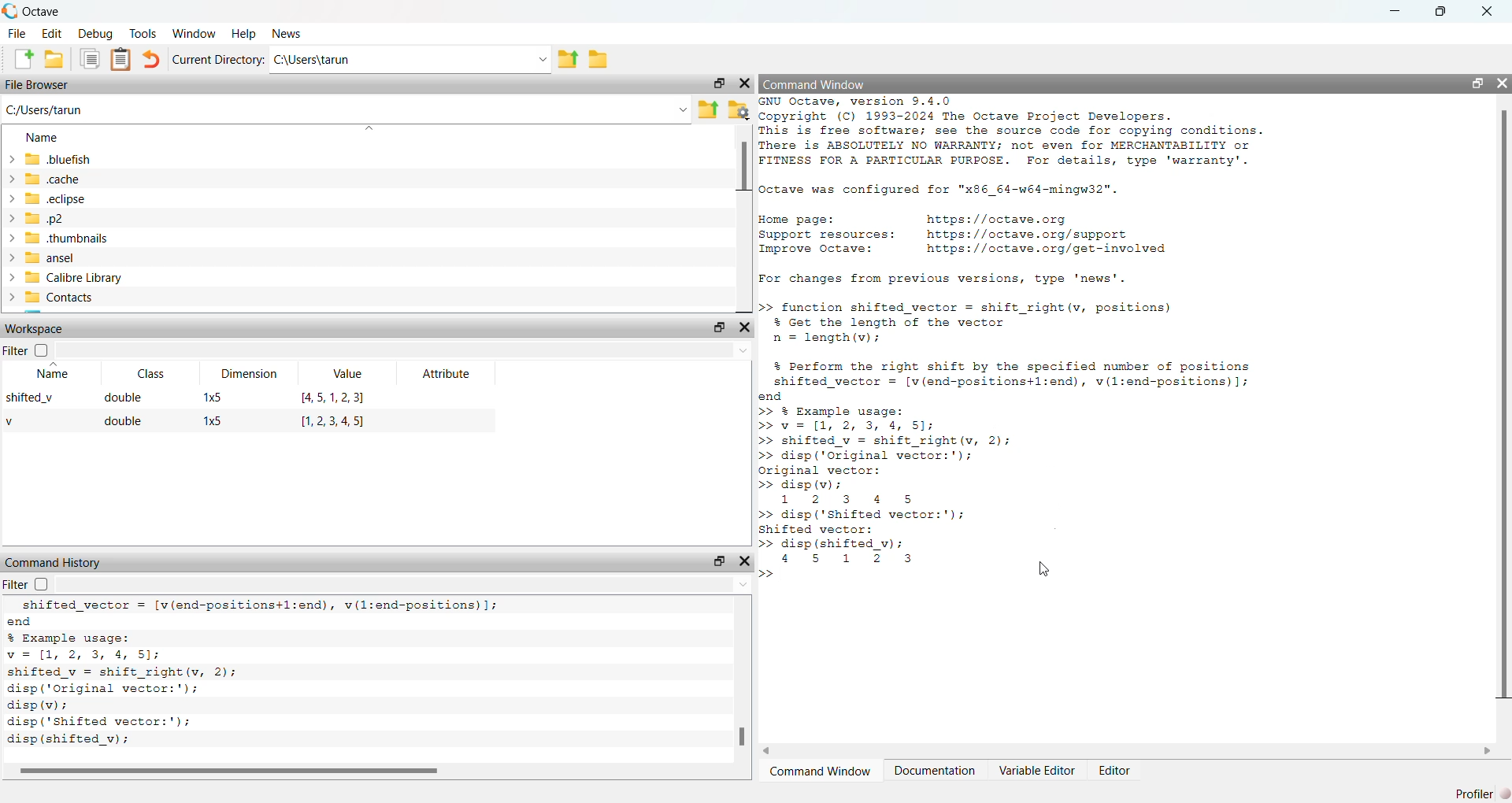  What do you see at coordinates (143, 682) in the screenshot?
I see `example usage code` at bounding box center [143, 682].